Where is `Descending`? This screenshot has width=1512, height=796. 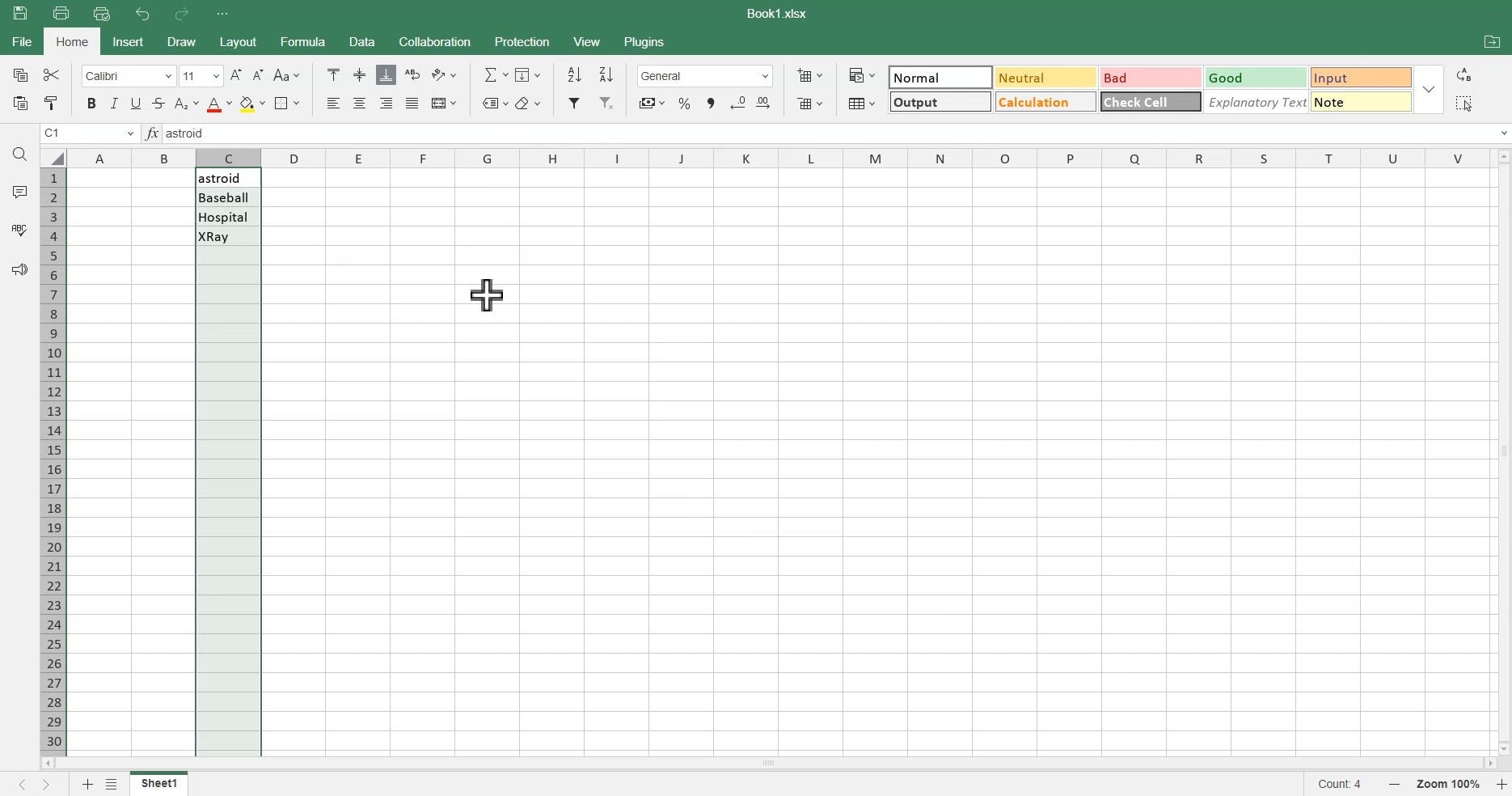 Descending is located at coordinates (607, 74).